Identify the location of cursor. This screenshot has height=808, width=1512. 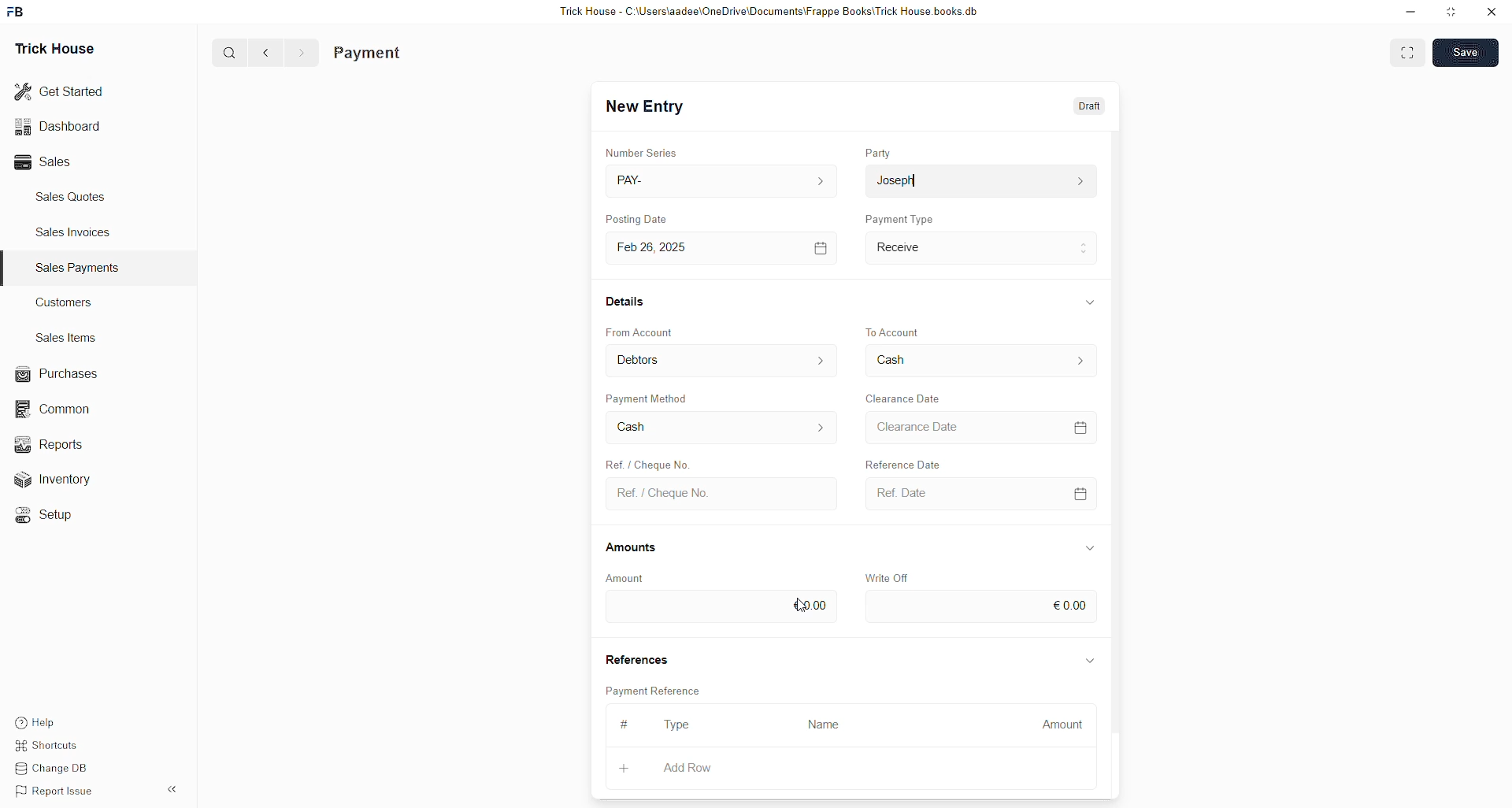
(802, 605).